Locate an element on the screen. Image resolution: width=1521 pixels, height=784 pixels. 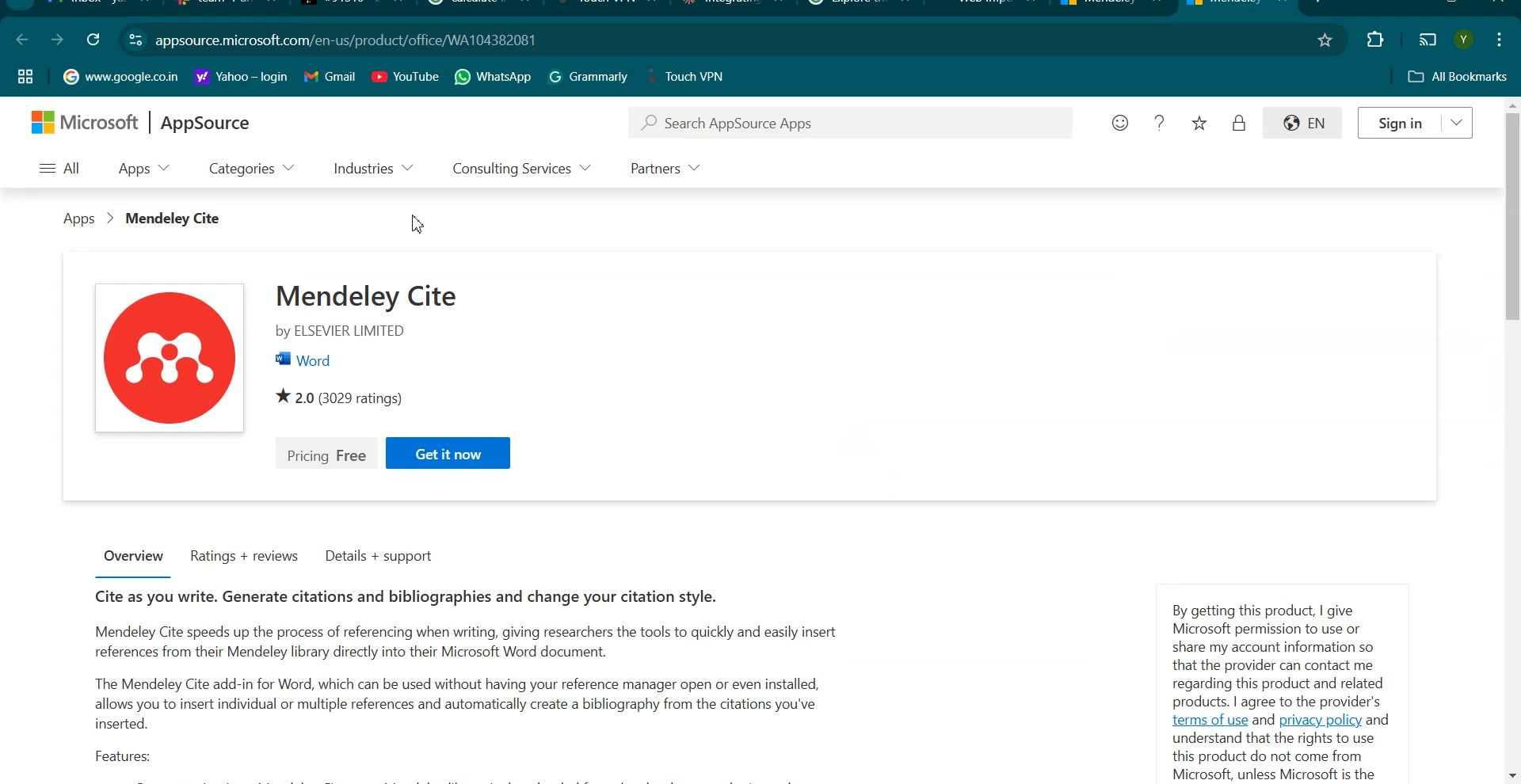
word is located at coordinates (304, 360).